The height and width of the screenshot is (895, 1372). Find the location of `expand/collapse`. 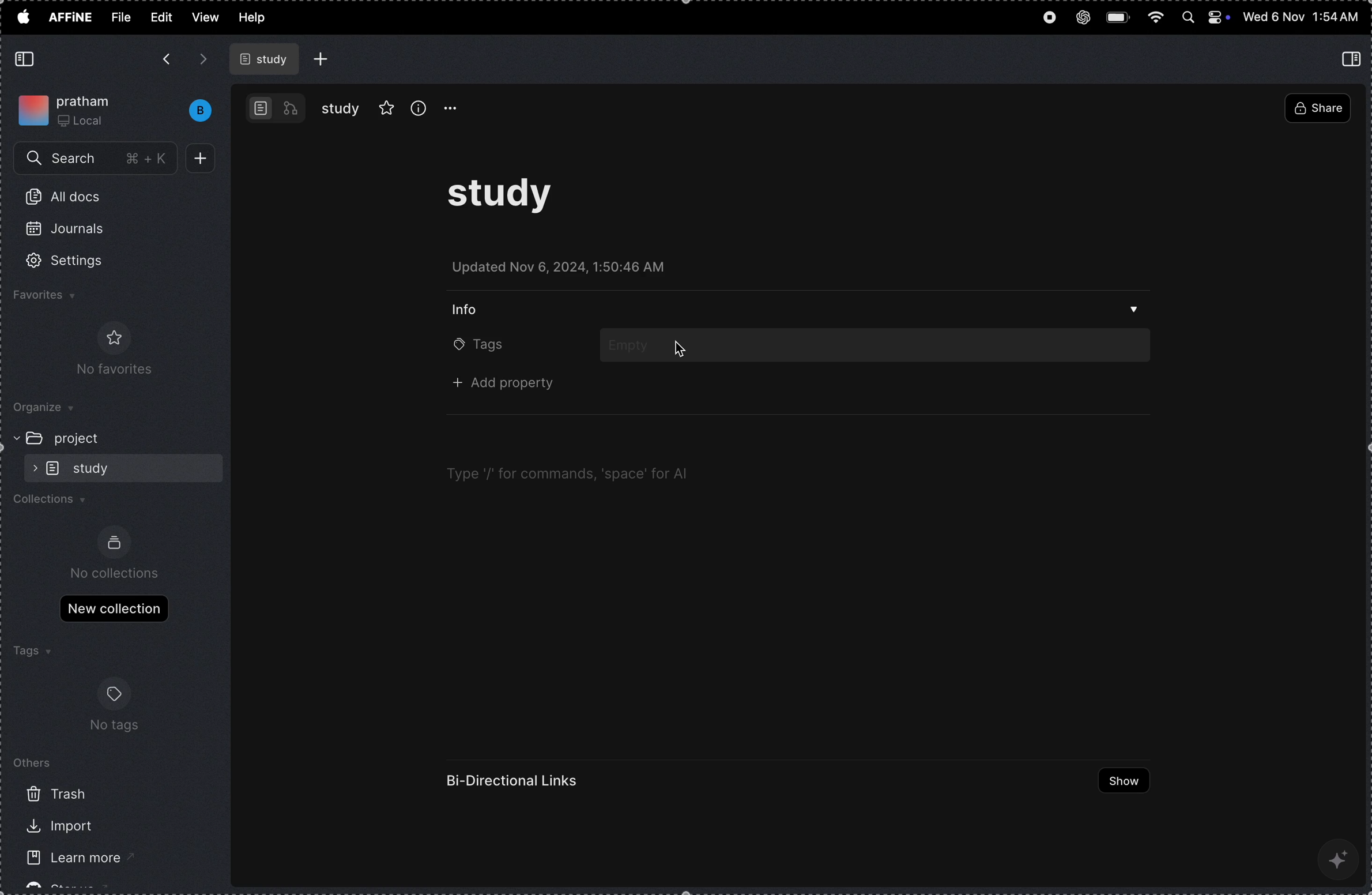

expand/collapse is located at coordinates (12, 437).